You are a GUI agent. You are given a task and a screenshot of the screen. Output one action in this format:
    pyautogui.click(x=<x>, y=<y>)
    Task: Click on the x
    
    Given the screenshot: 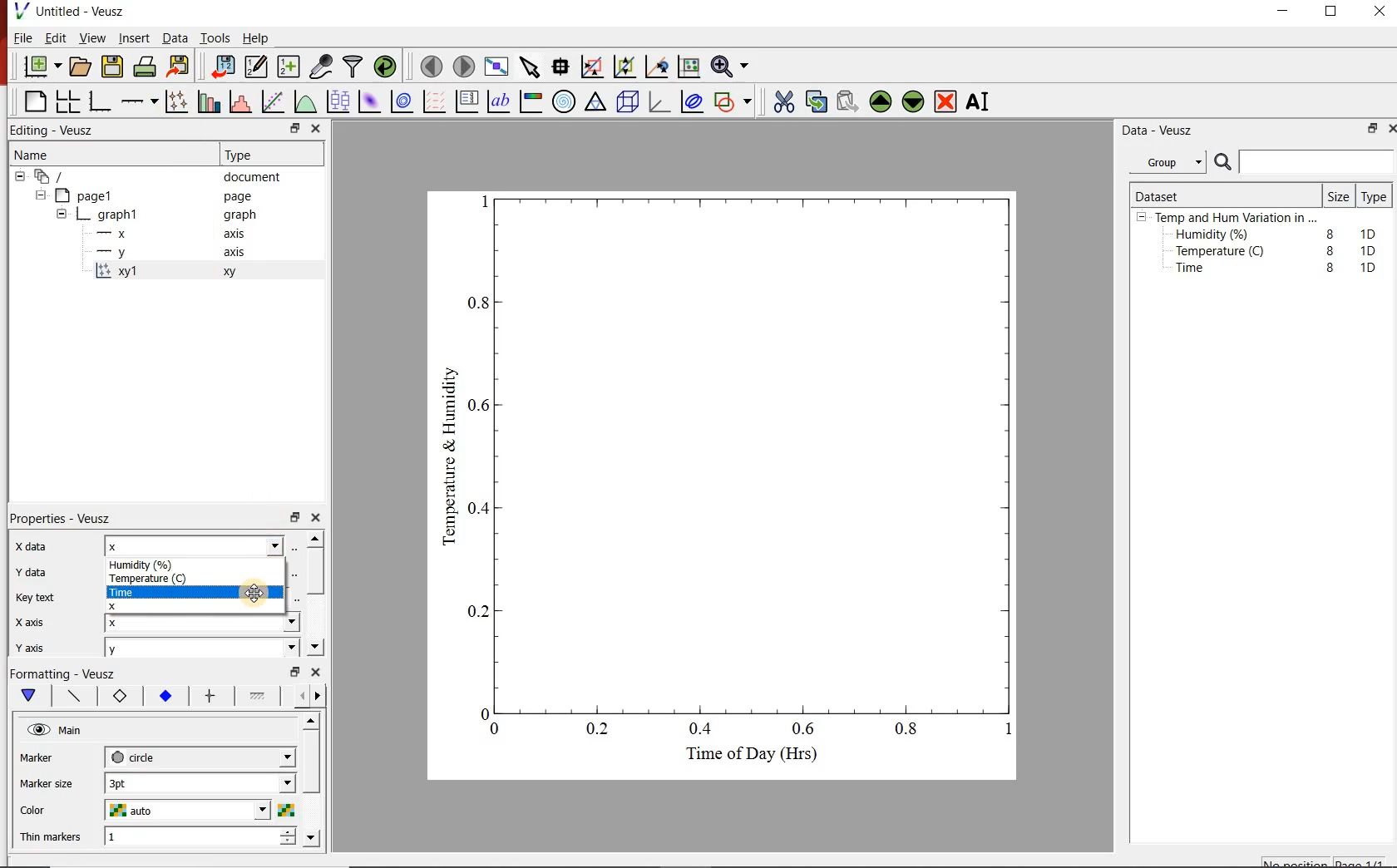 What is the action you would take?
    pyautogui.click(x=133, y=605)
    